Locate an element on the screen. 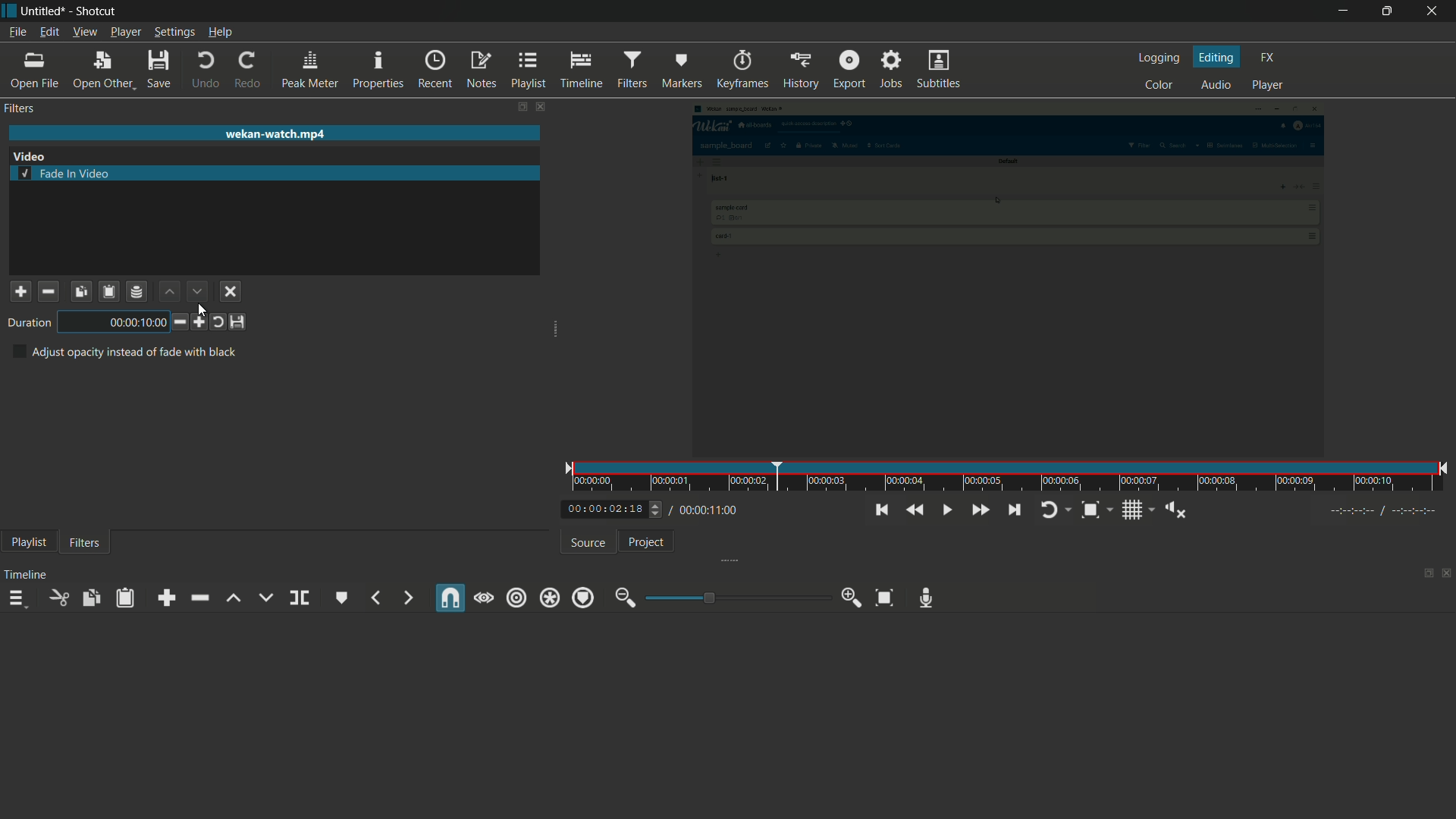 The image size is (1456, 819). append is located at coordinates (166, 598).